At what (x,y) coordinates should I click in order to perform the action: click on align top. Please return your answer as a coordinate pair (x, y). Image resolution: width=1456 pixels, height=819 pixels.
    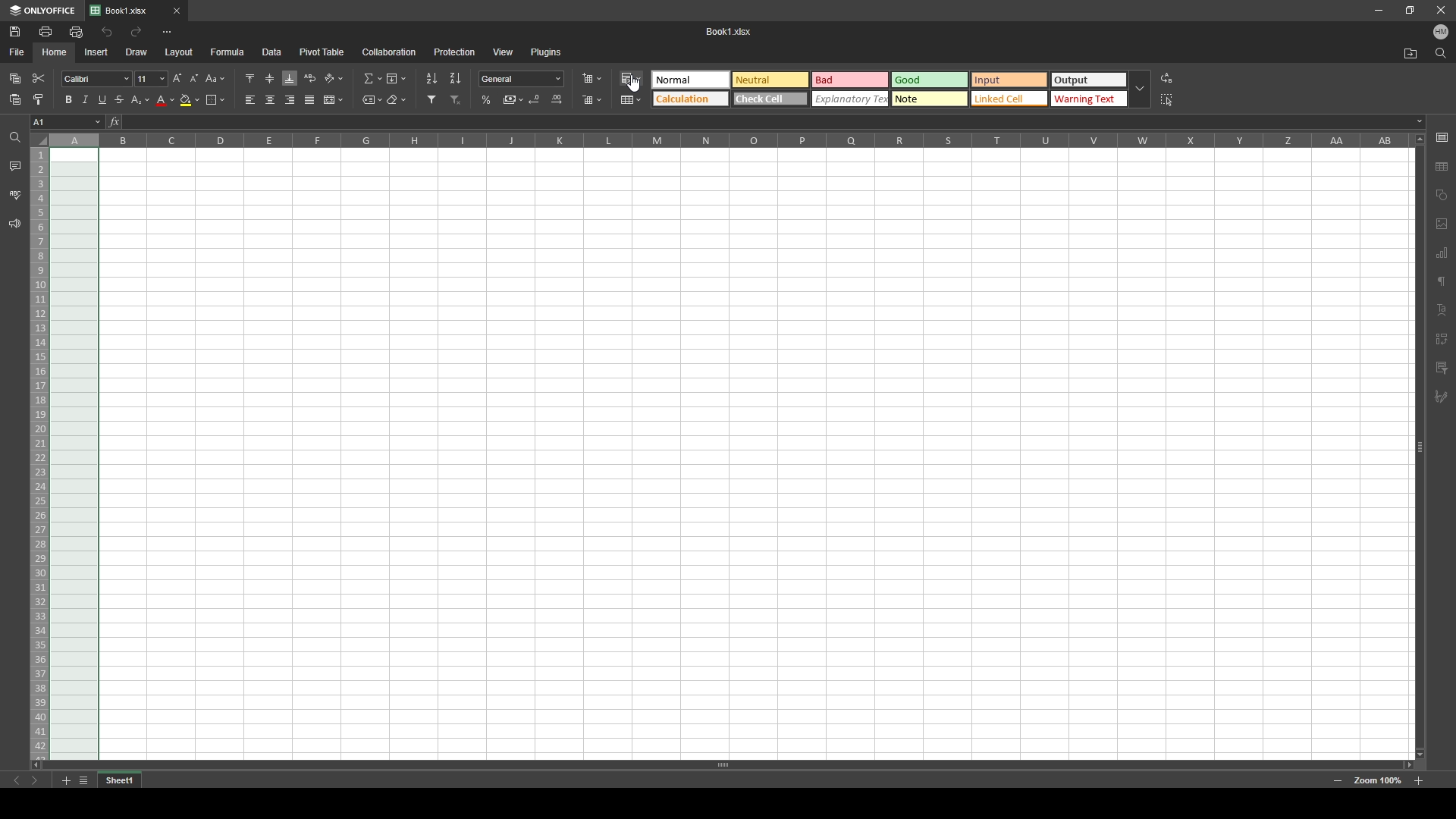
    Looking at the image, I should click on (250, 77).